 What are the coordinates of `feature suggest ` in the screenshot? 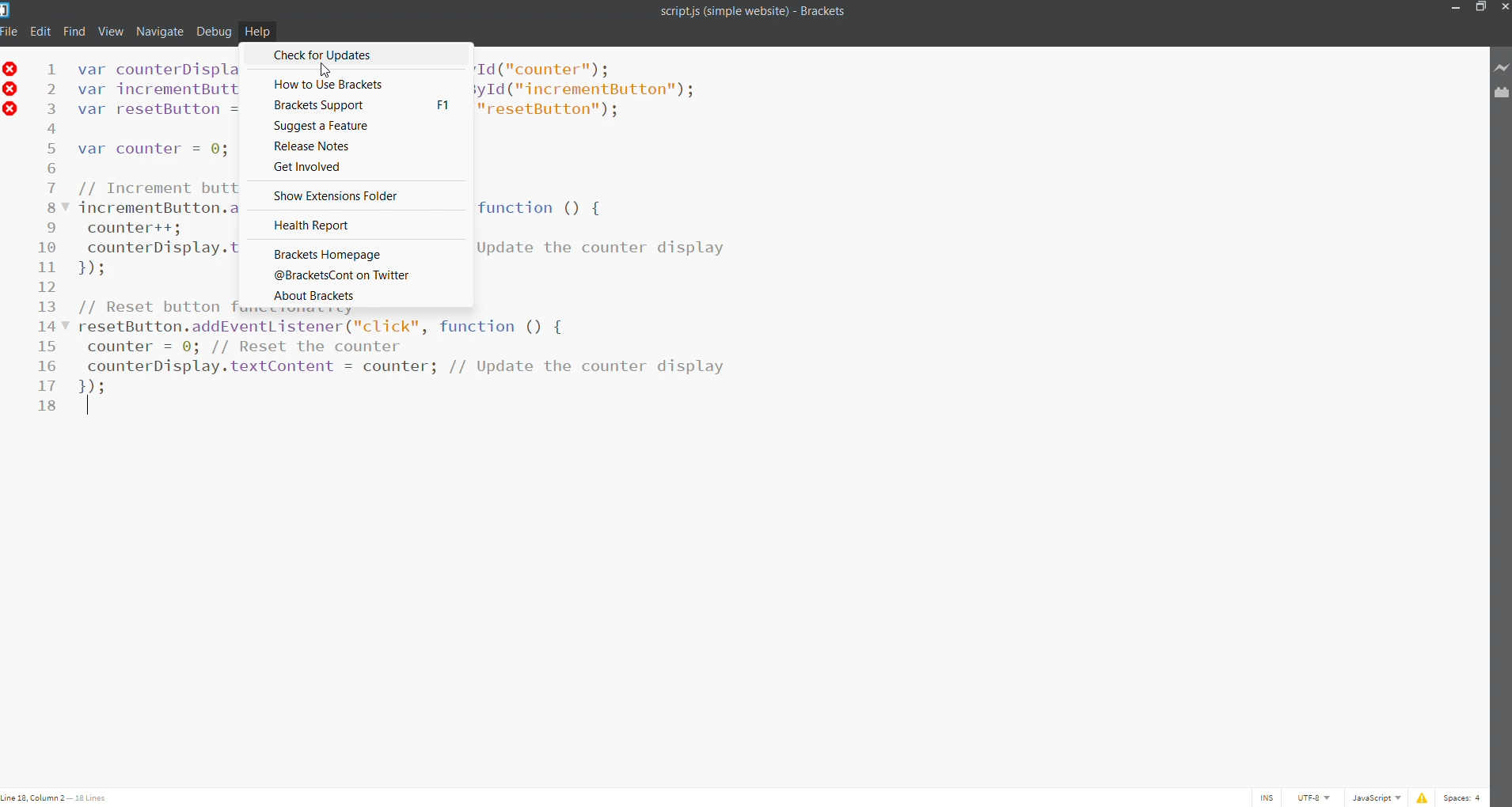 It's located at (350, 127).